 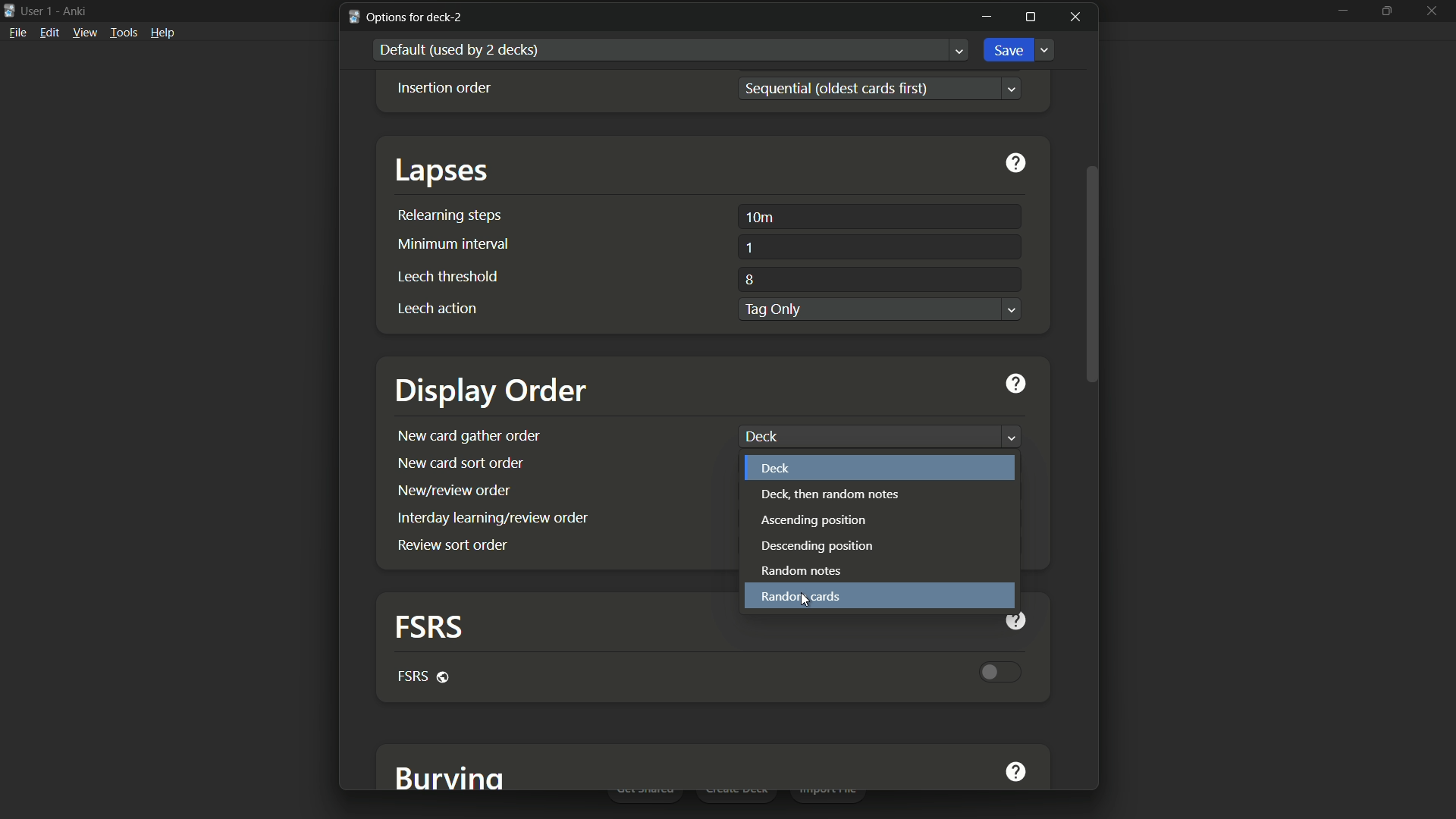 I want to click on lapses, so click(x=444, y=171).